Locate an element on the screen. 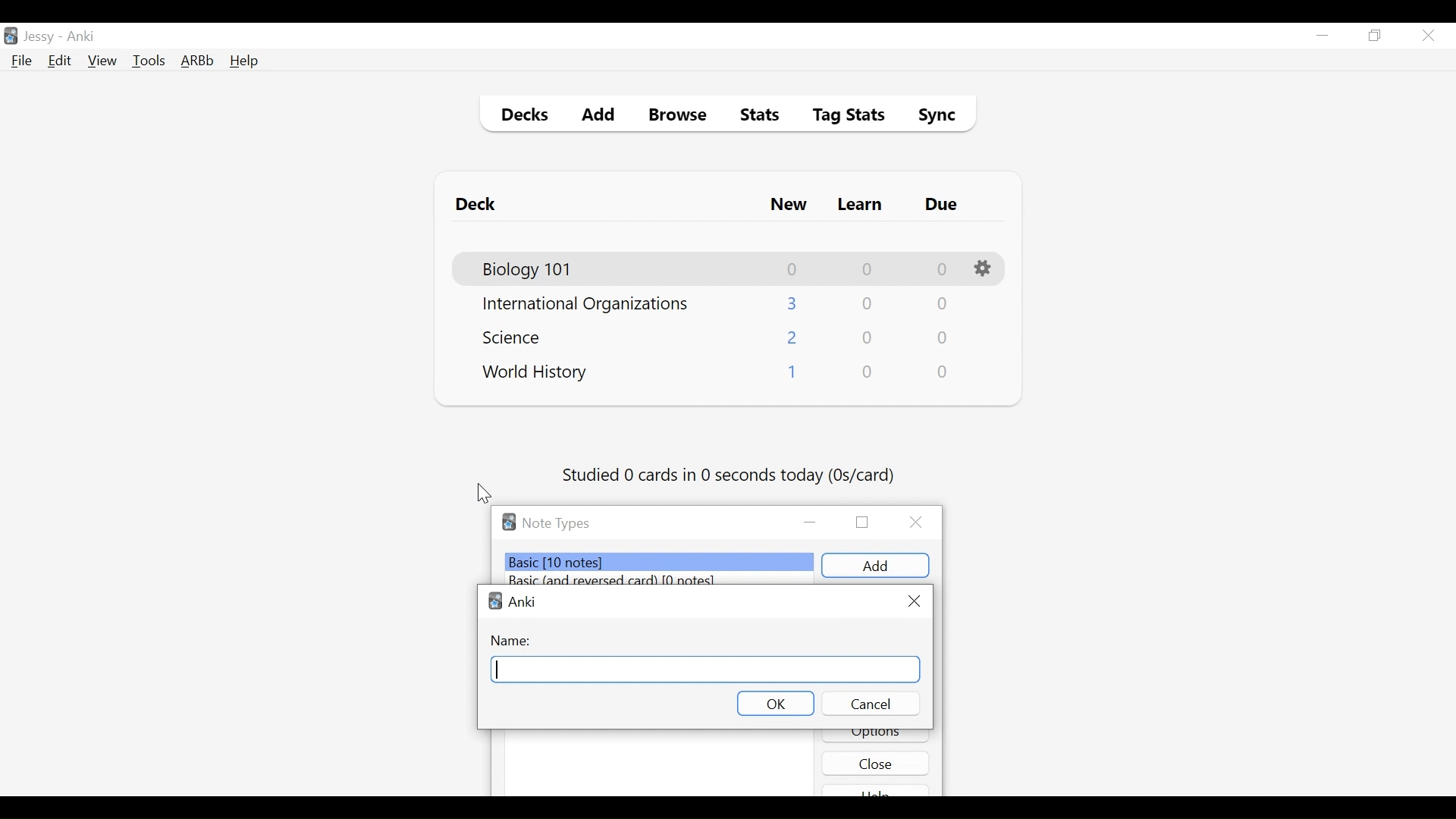  Cursor is located at coordinates (485, 494).